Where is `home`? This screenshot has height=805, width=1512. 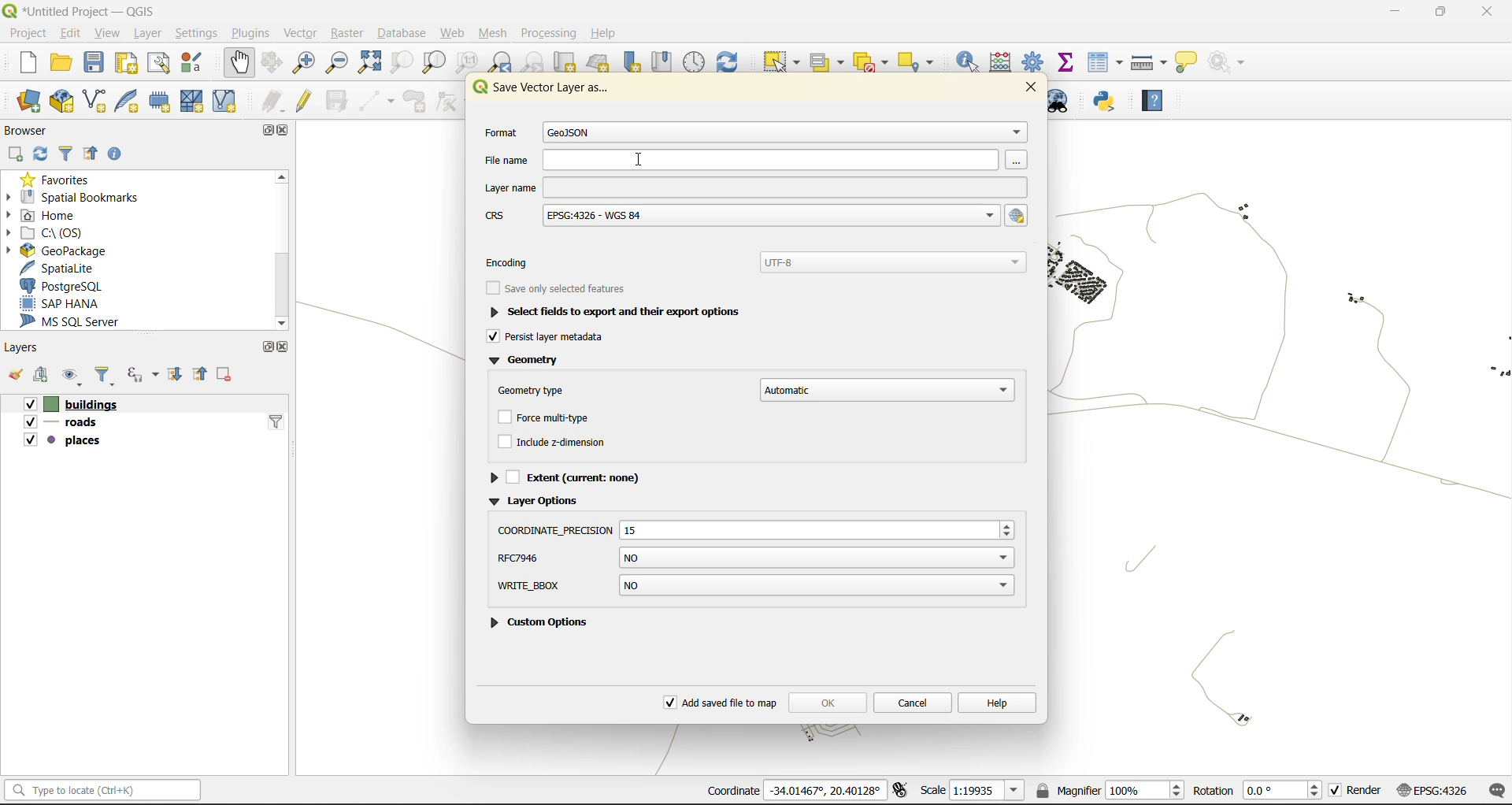
home is located at coordinates (46, 216).